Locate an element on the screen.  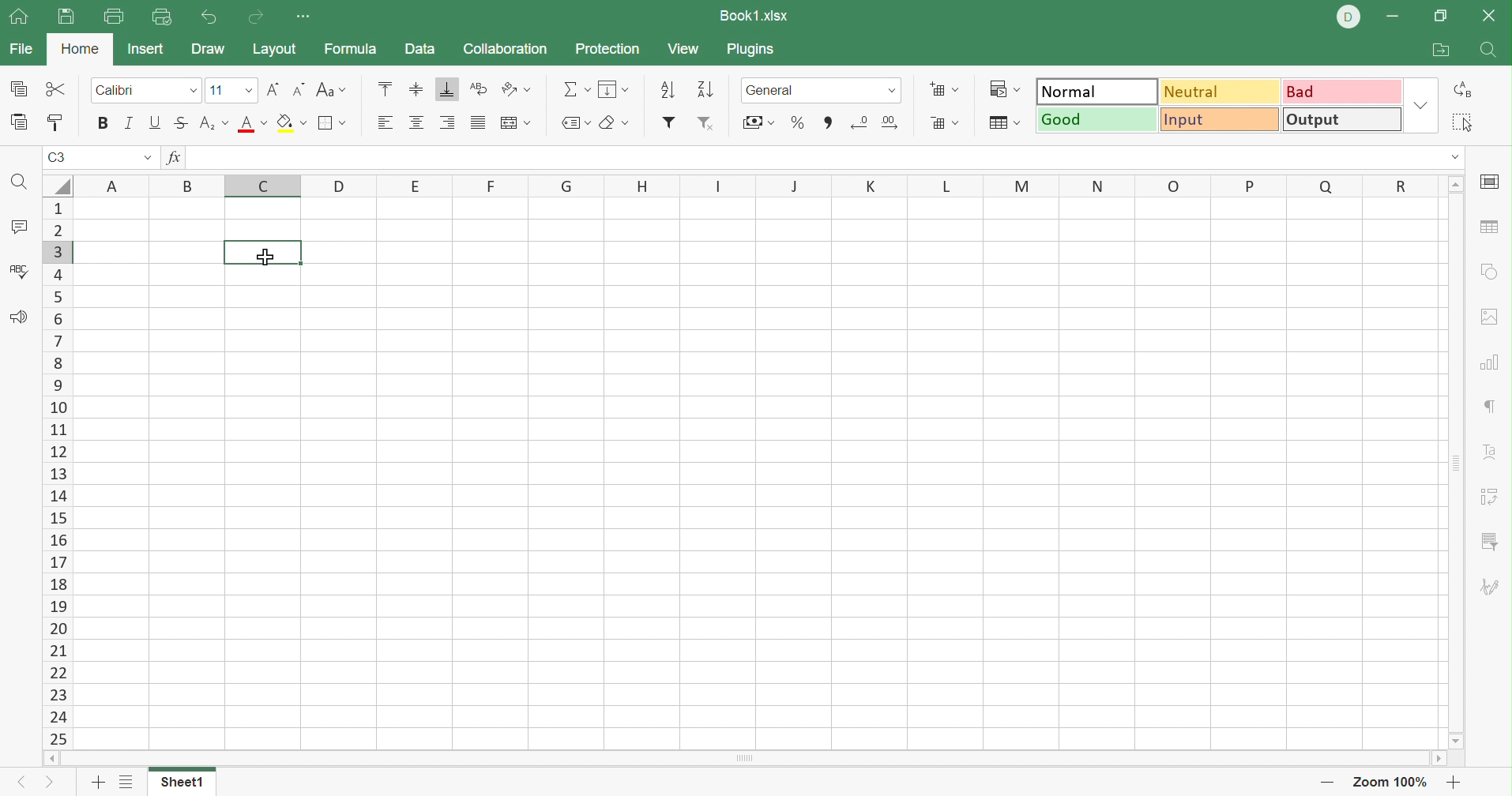
Bad is located at coordinates (1342, 91).